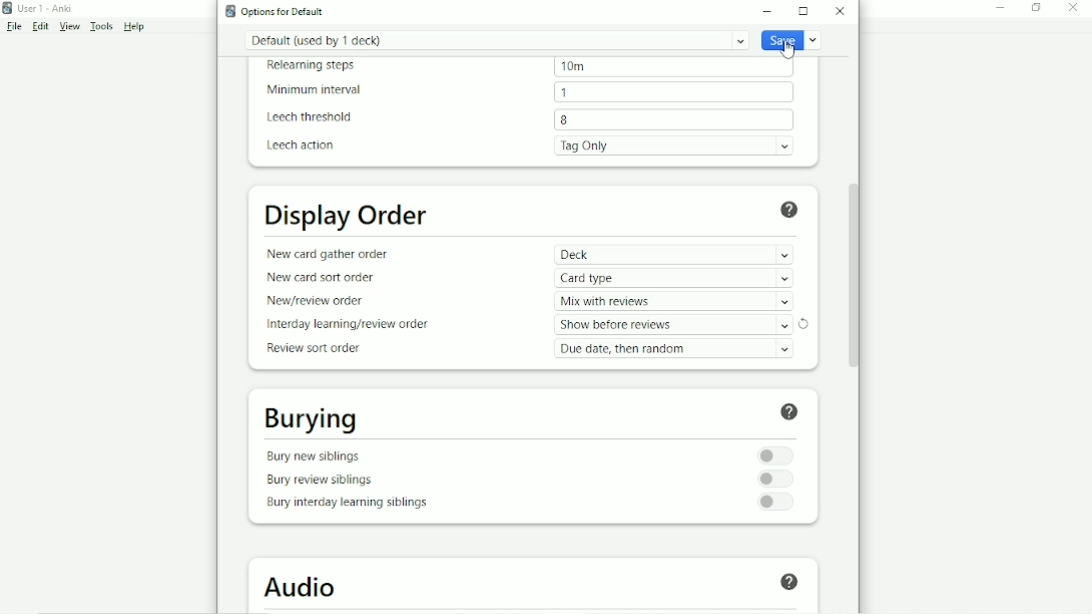 The width and height of the screenshot is (1092, 614). What do you see at coordinates (1036, 9) in the screenshot?
I see `Restore down` at bounding box center [1036, 9].